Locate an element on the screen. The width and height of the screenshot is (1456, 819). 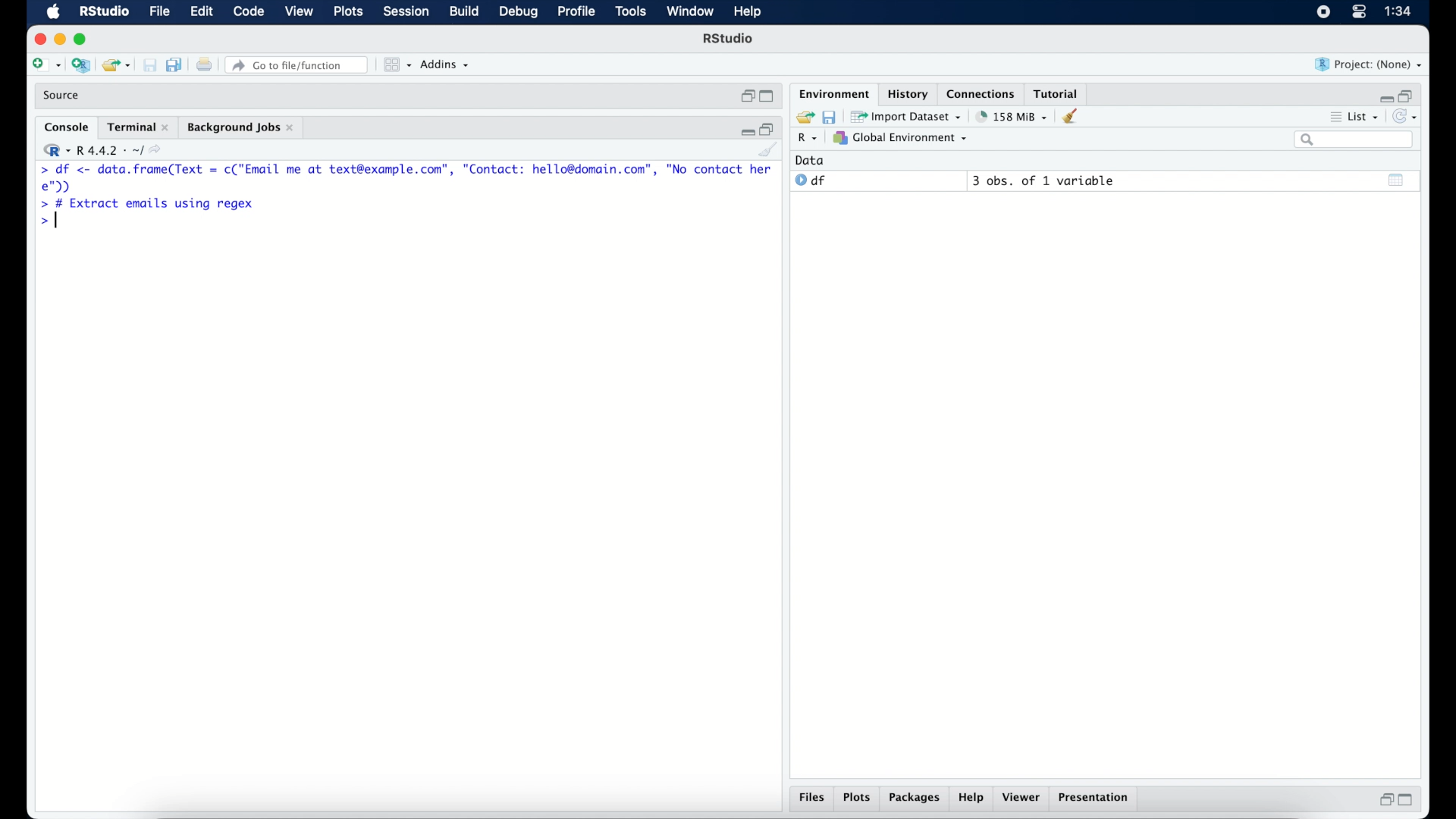
R 4.4.2 is located at coordinates (105, 150).